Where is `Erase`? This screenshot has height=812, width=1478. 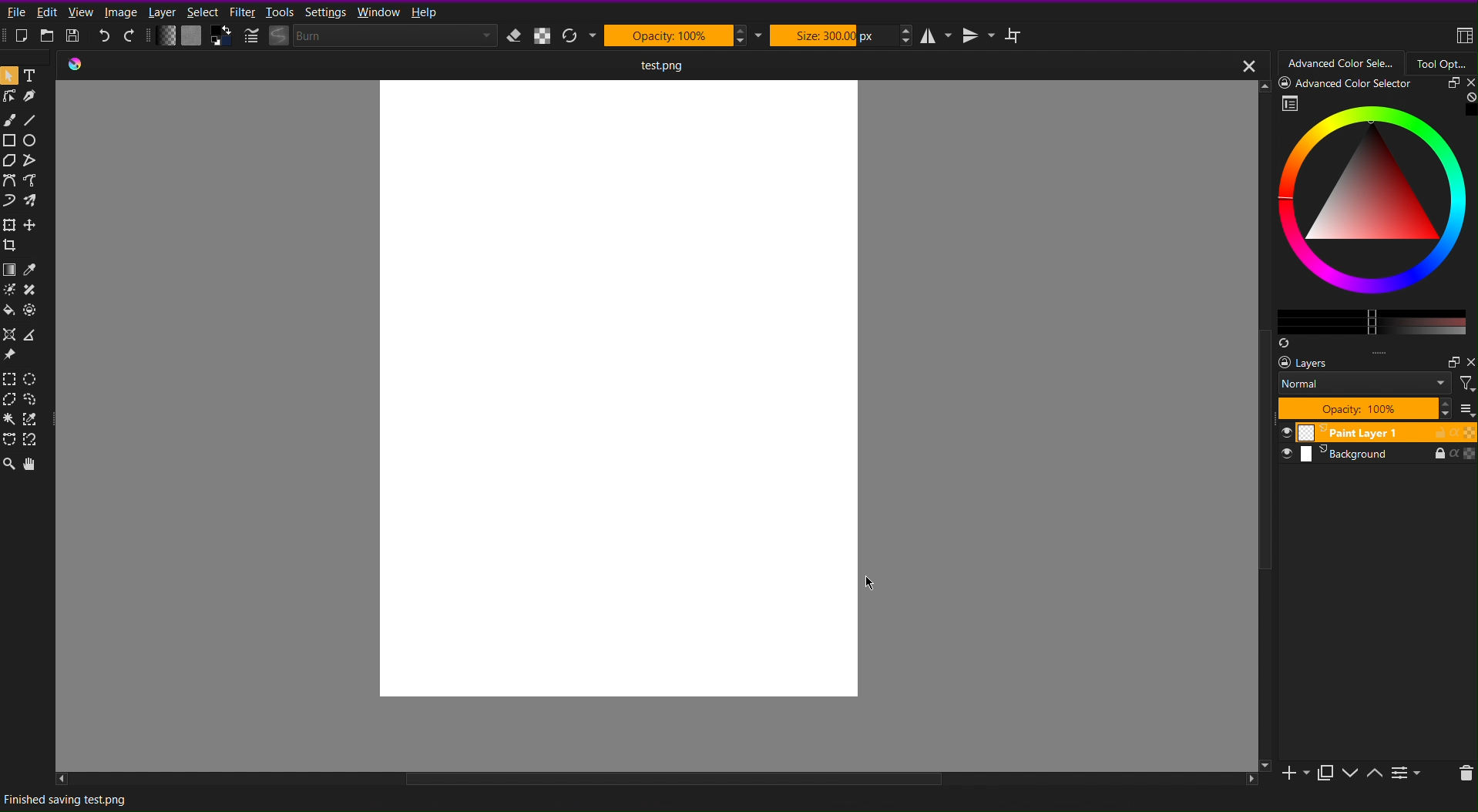 Erase is located at coordinates (515, 36).